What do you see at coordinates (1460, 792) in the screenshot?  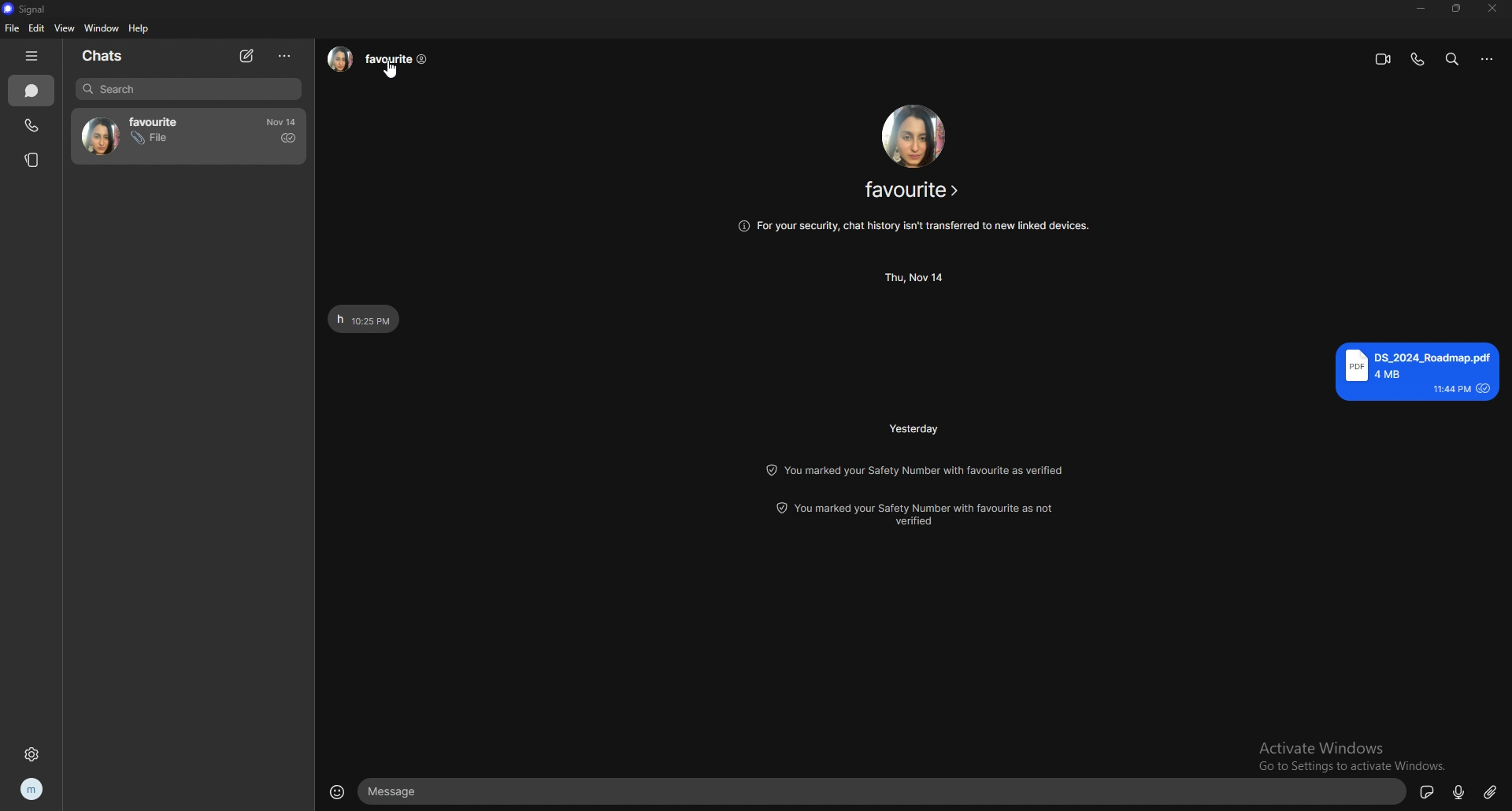 I see `voice message` at bounding box center [1460, 792].